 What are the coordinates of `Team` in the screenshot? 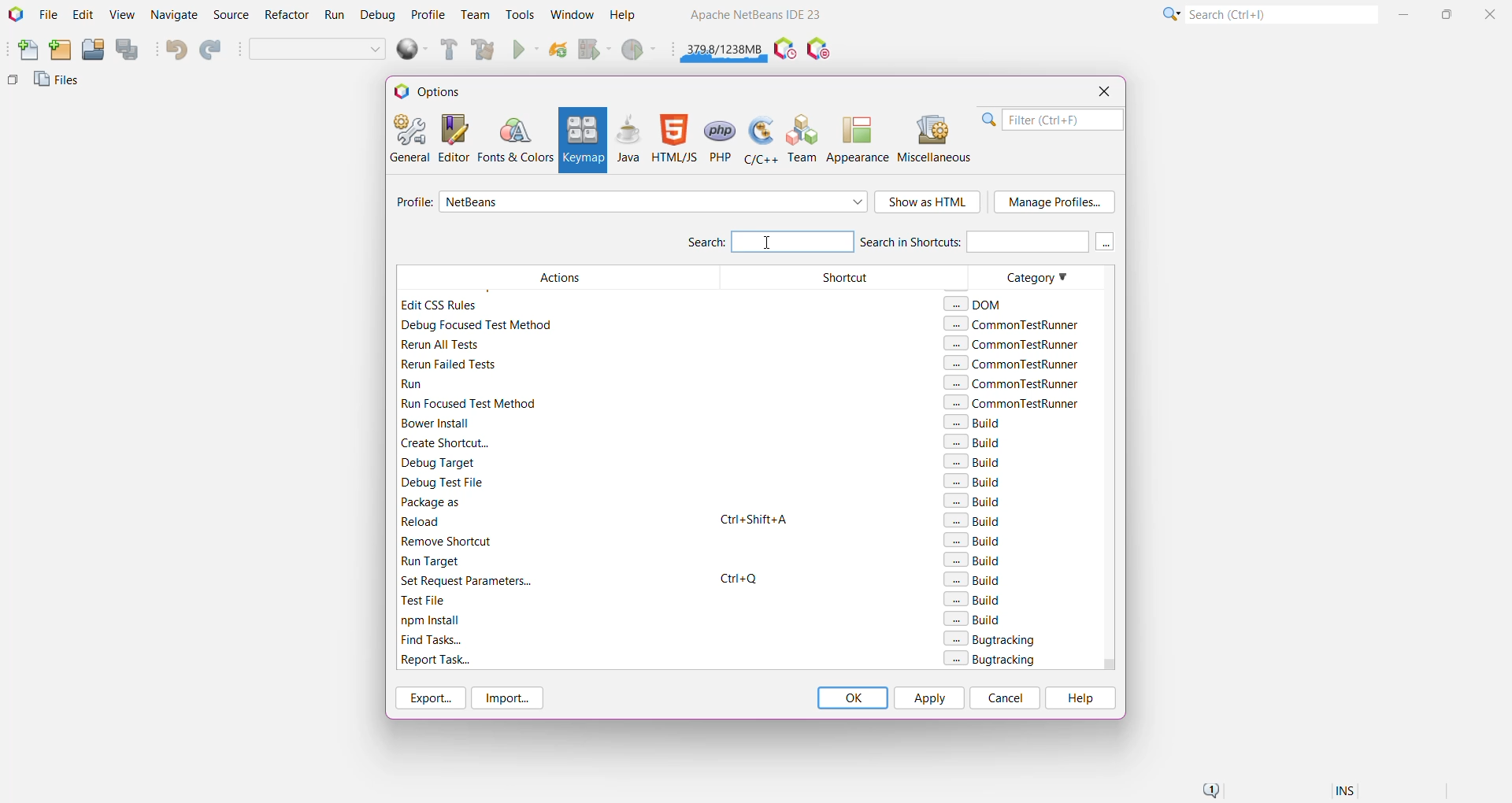 It's located at (803, 139).